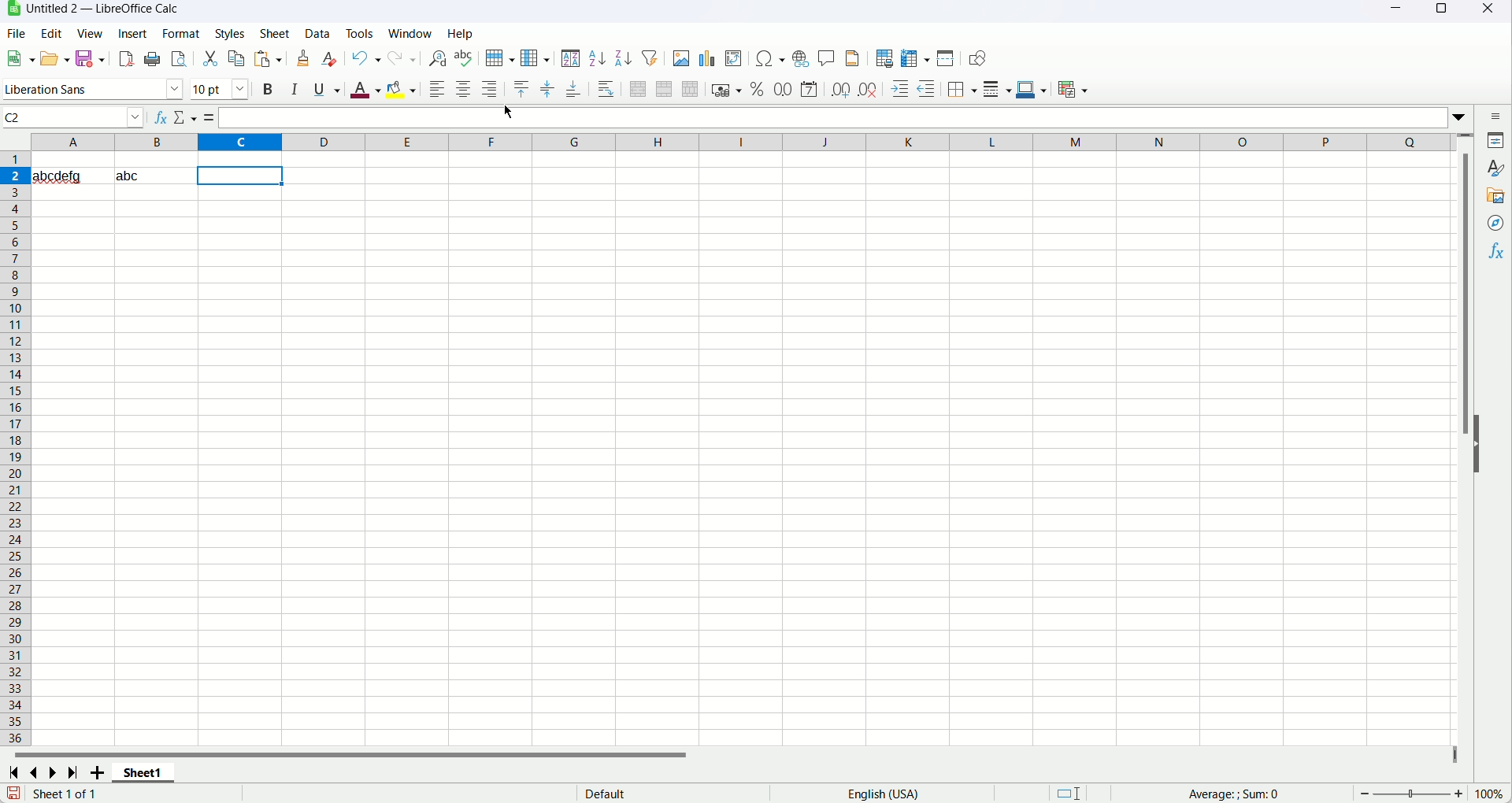 The image size is (1512, 803). I want to click on 100%, so click(1488, 794).